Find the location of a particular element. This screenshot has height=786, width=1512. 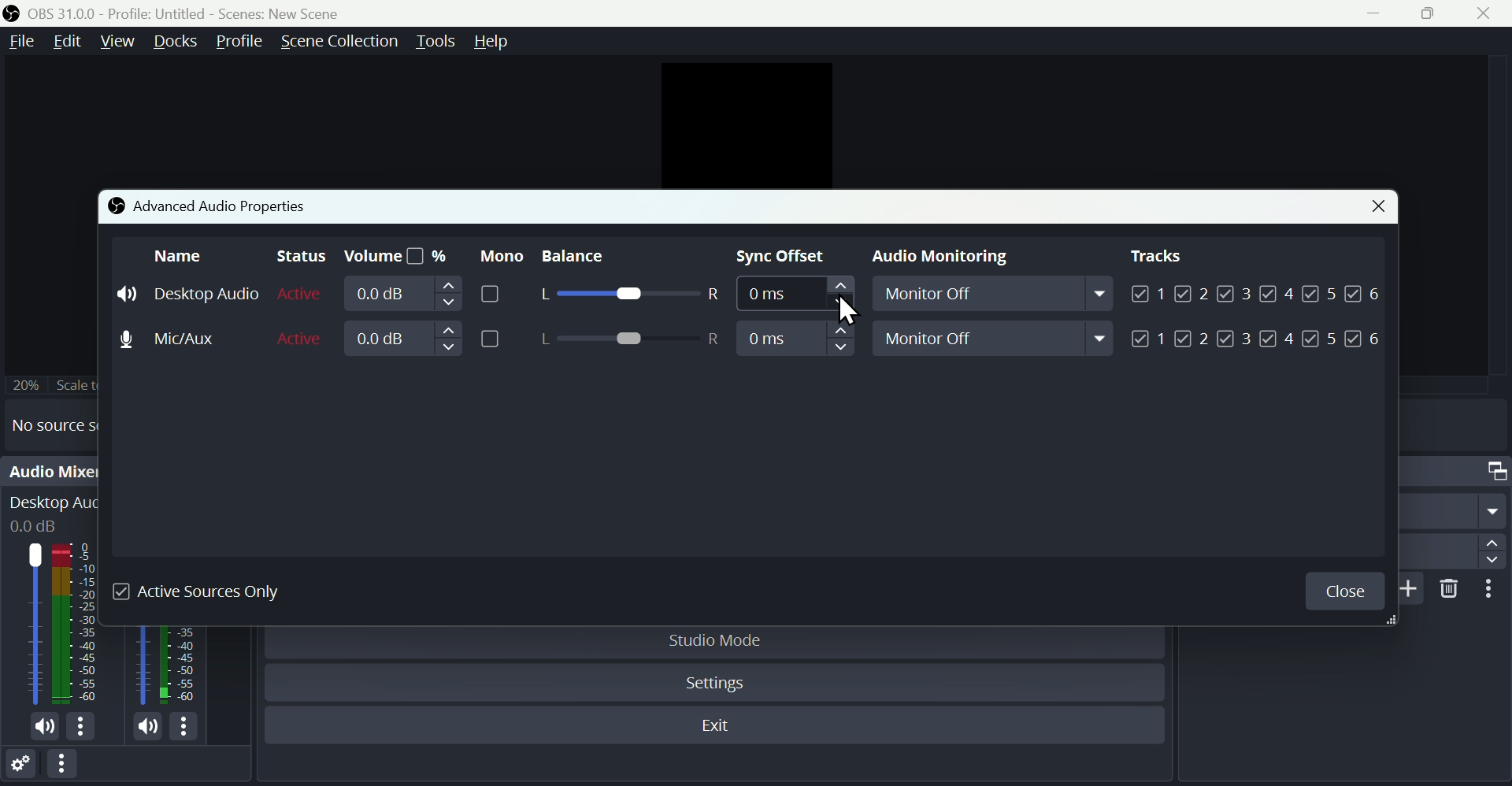

File is located at coordinates (20, 42).